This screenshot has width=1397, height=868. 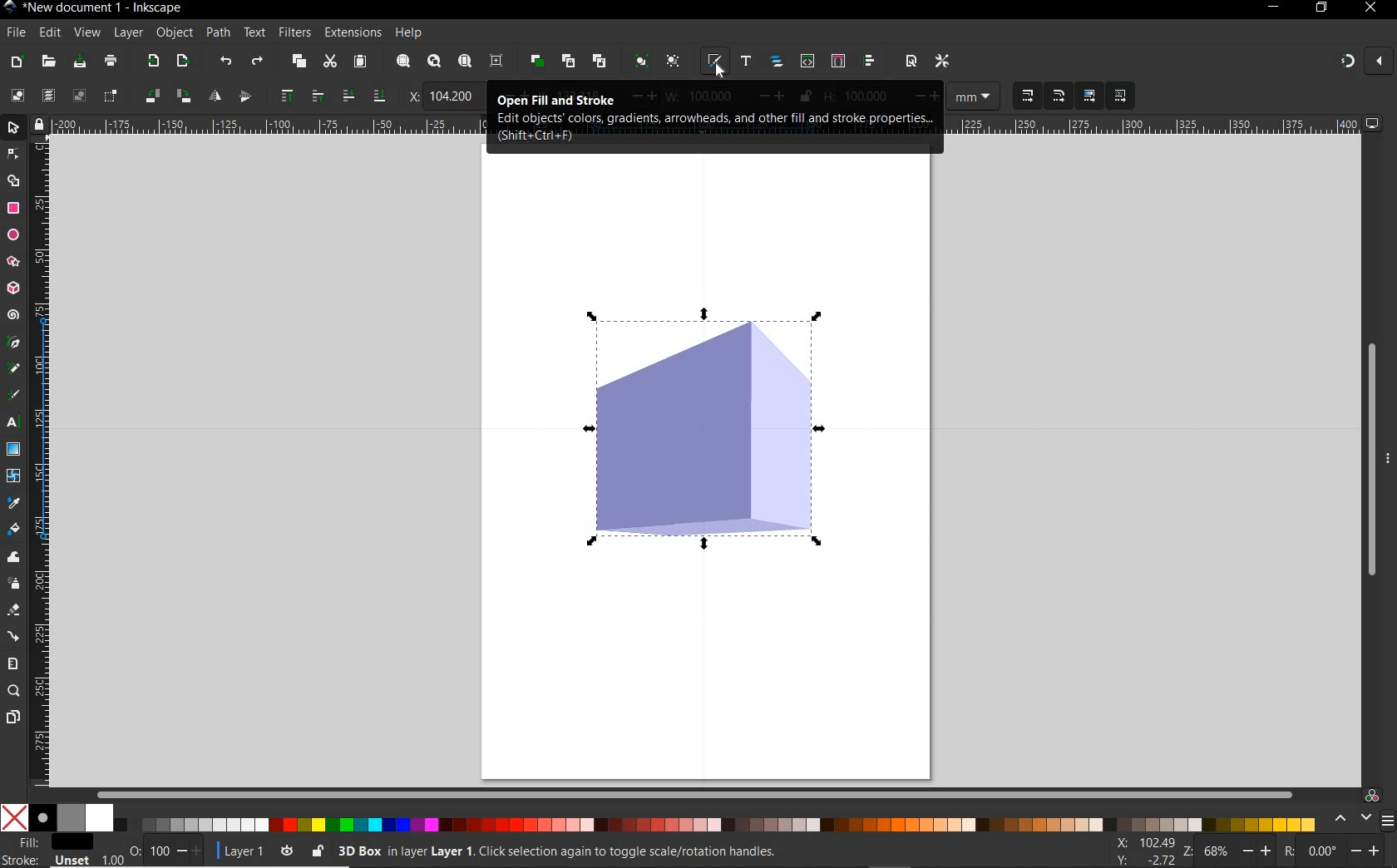 What do you see at coordinates (234, 851) in the screenshot?
I see `CURRENT LAYER` at bounding box center [234, 851].